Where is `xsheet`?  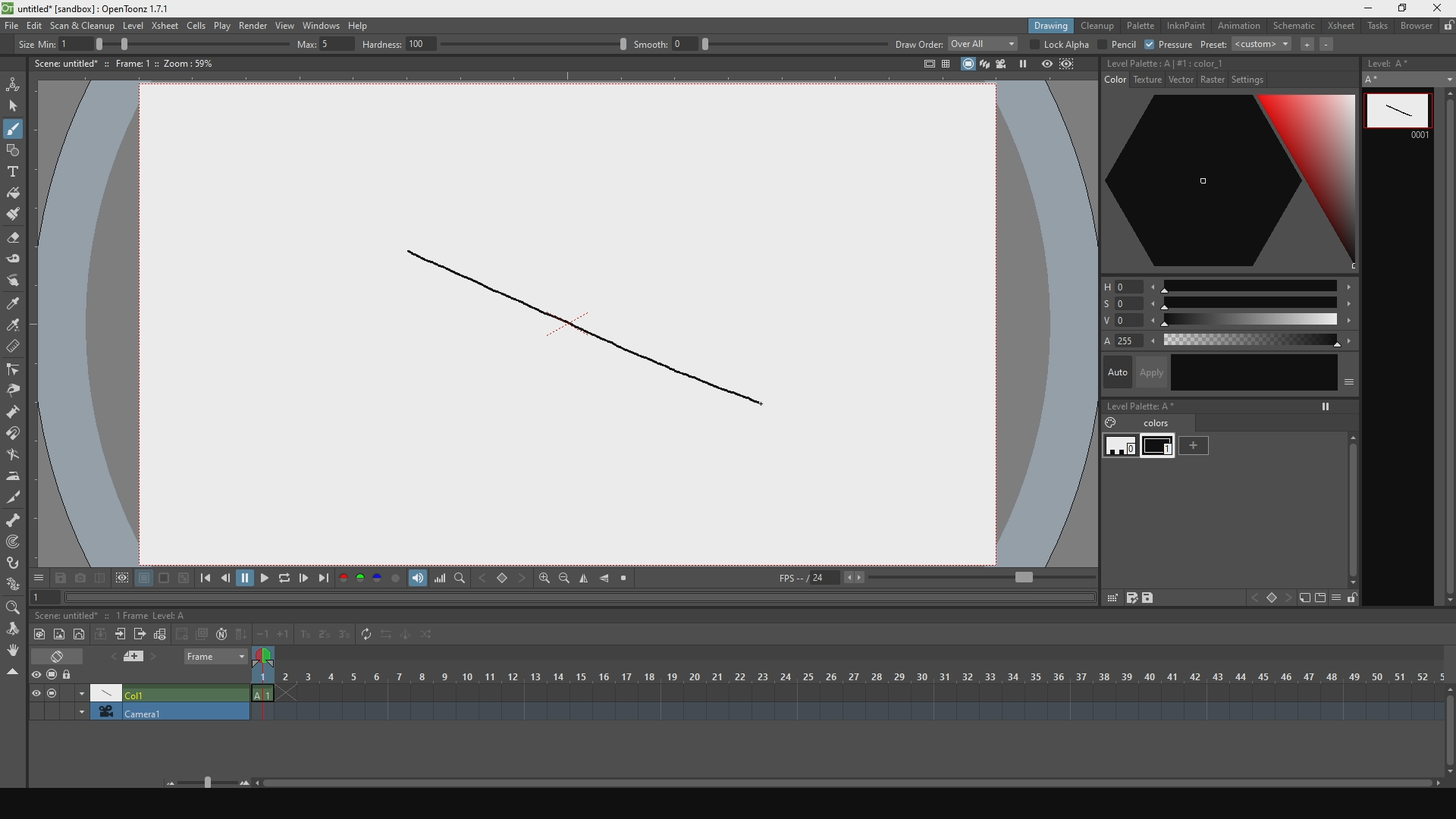 xsheet is located at coordinates (165, 25).